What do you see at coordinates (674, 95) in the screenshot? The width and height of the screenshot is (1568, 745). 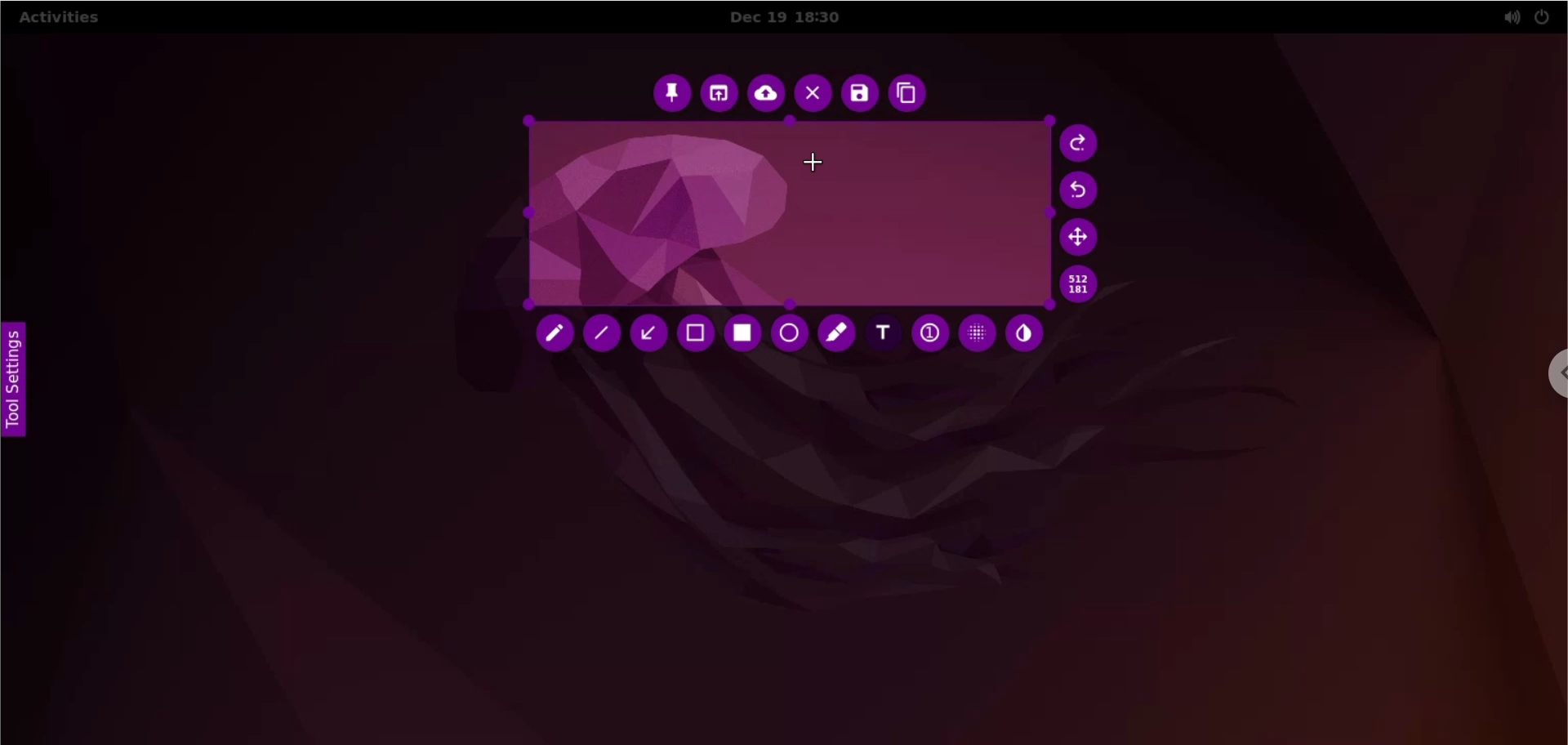 I see `pin` at bounding box center [674, 95].